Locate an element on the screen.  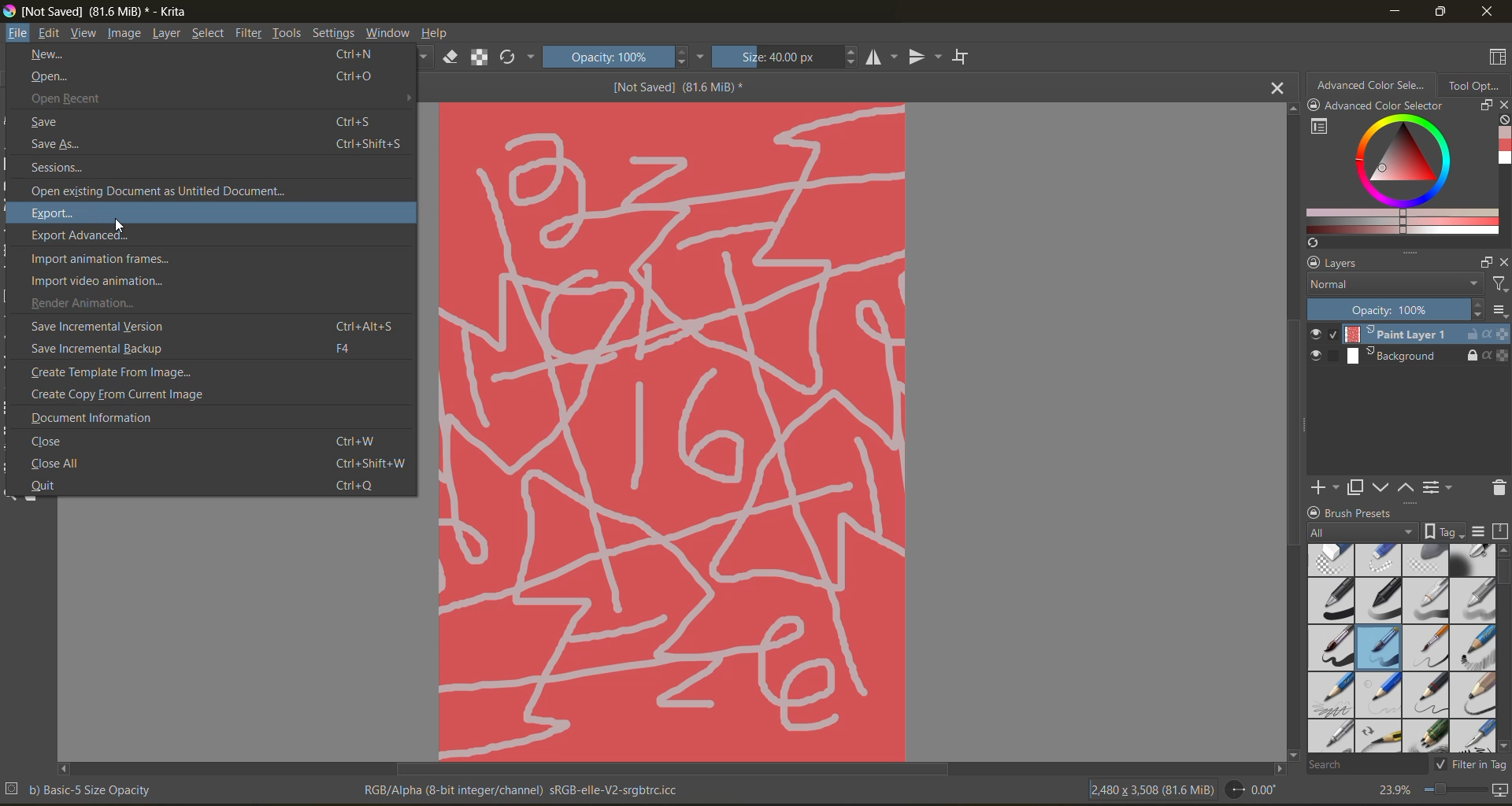
Image is located at coordinates (673, 430).